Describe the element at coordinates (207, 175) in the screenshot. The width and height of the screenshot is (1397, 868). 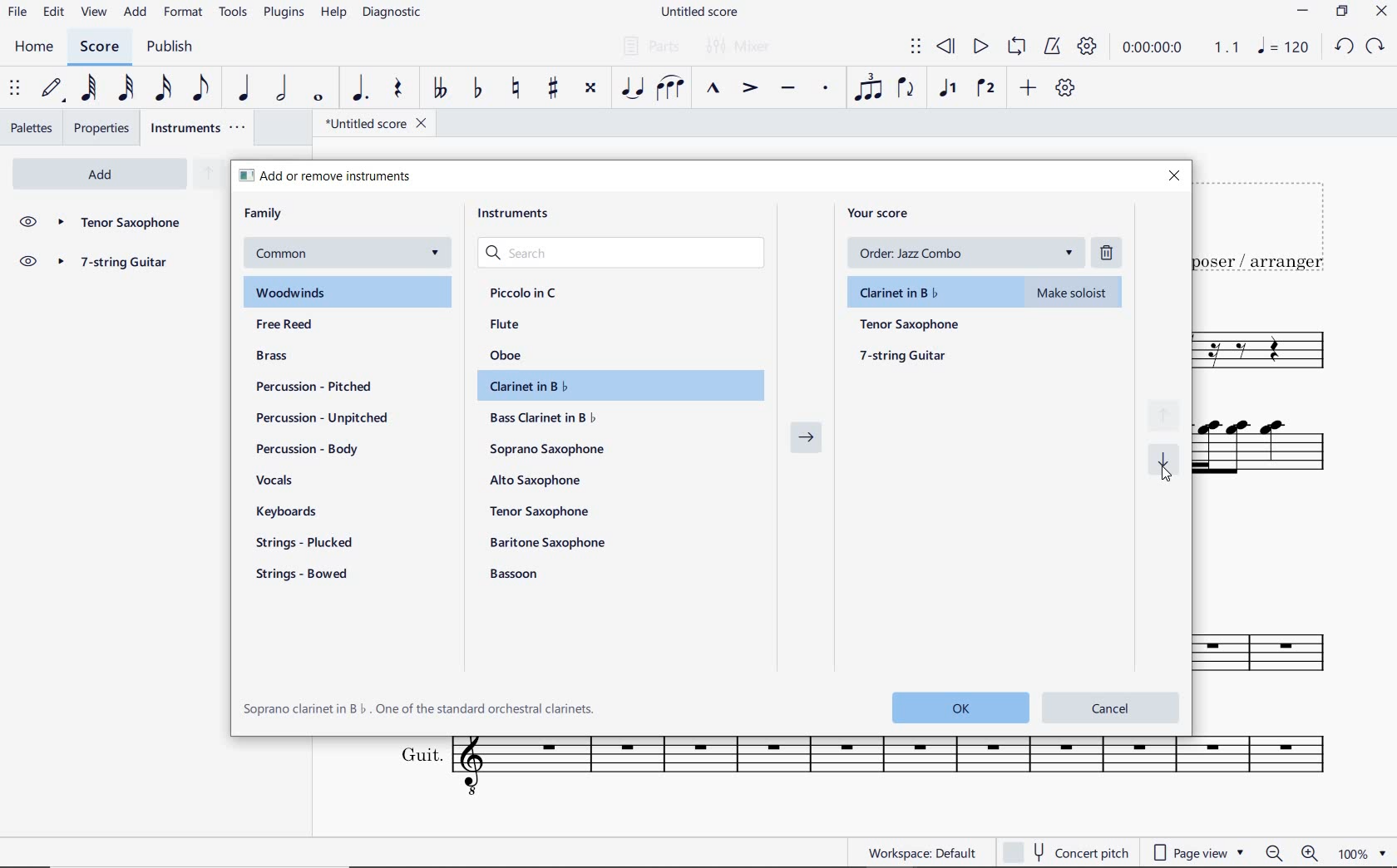
I see `up` at that location.